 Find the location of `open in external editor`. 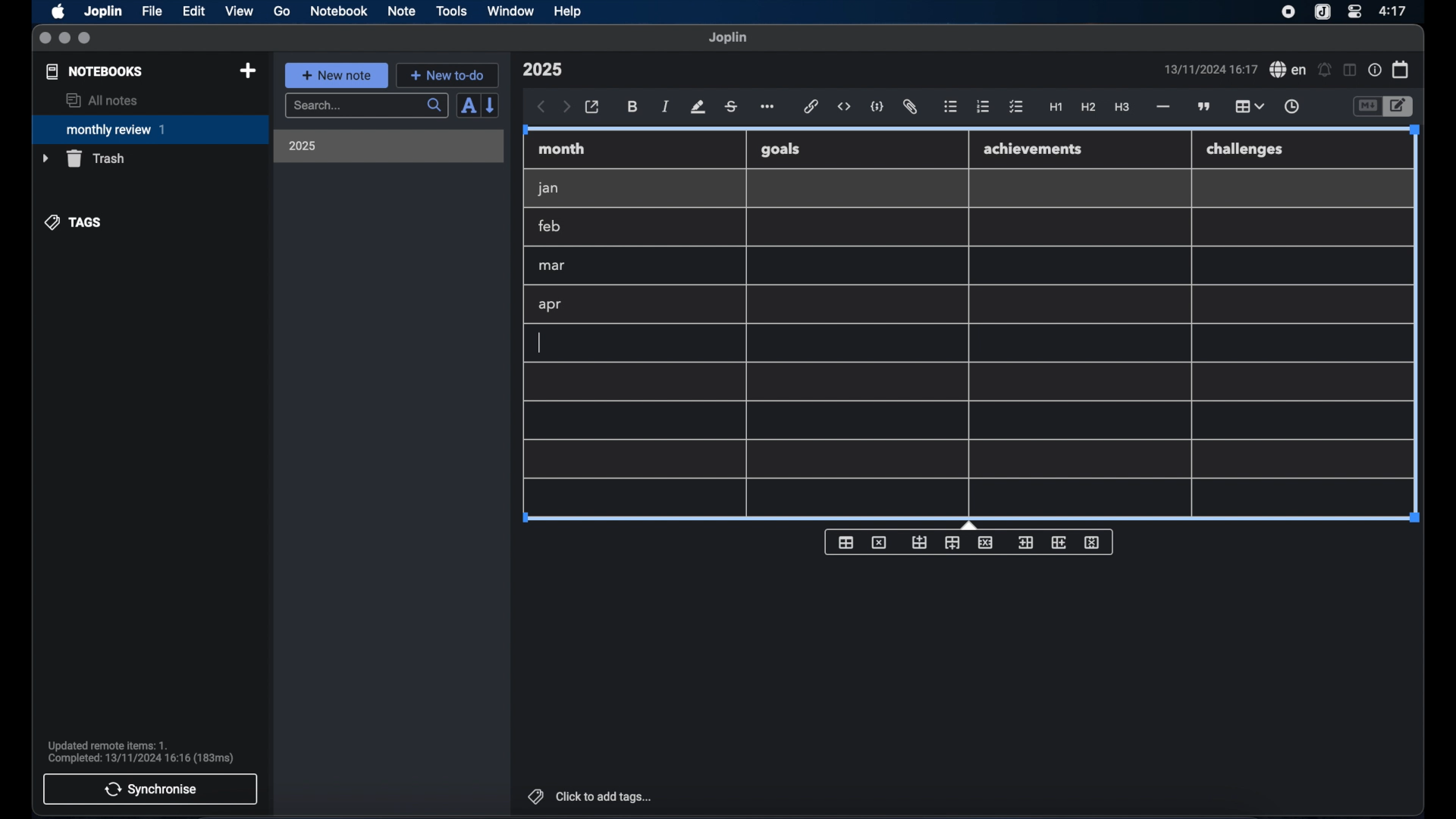

open in external editor is located at coordinates (593, 108).